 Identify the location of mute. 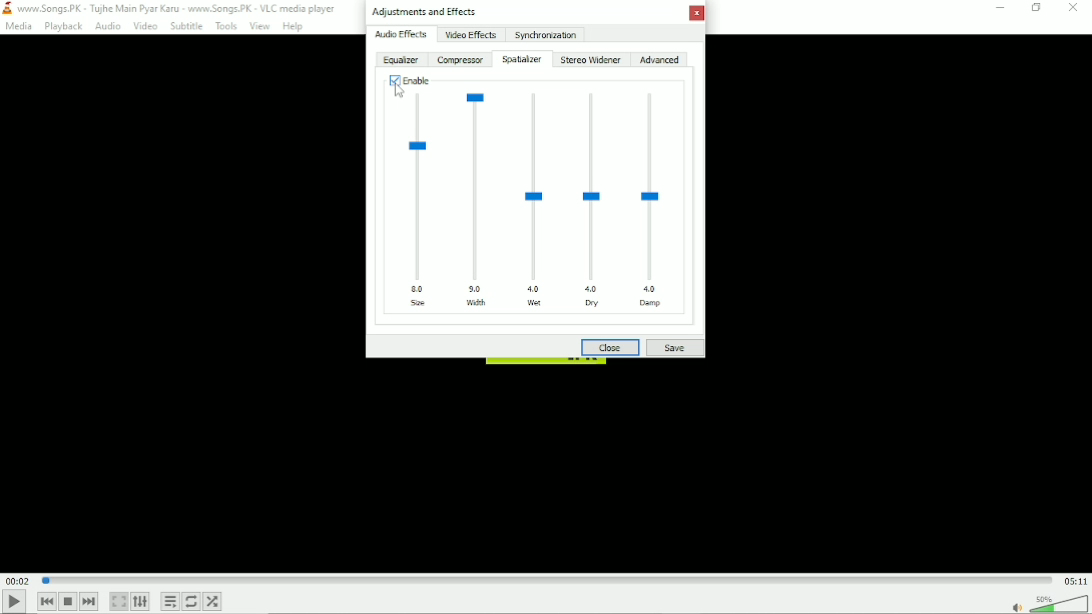
(1015, 609).